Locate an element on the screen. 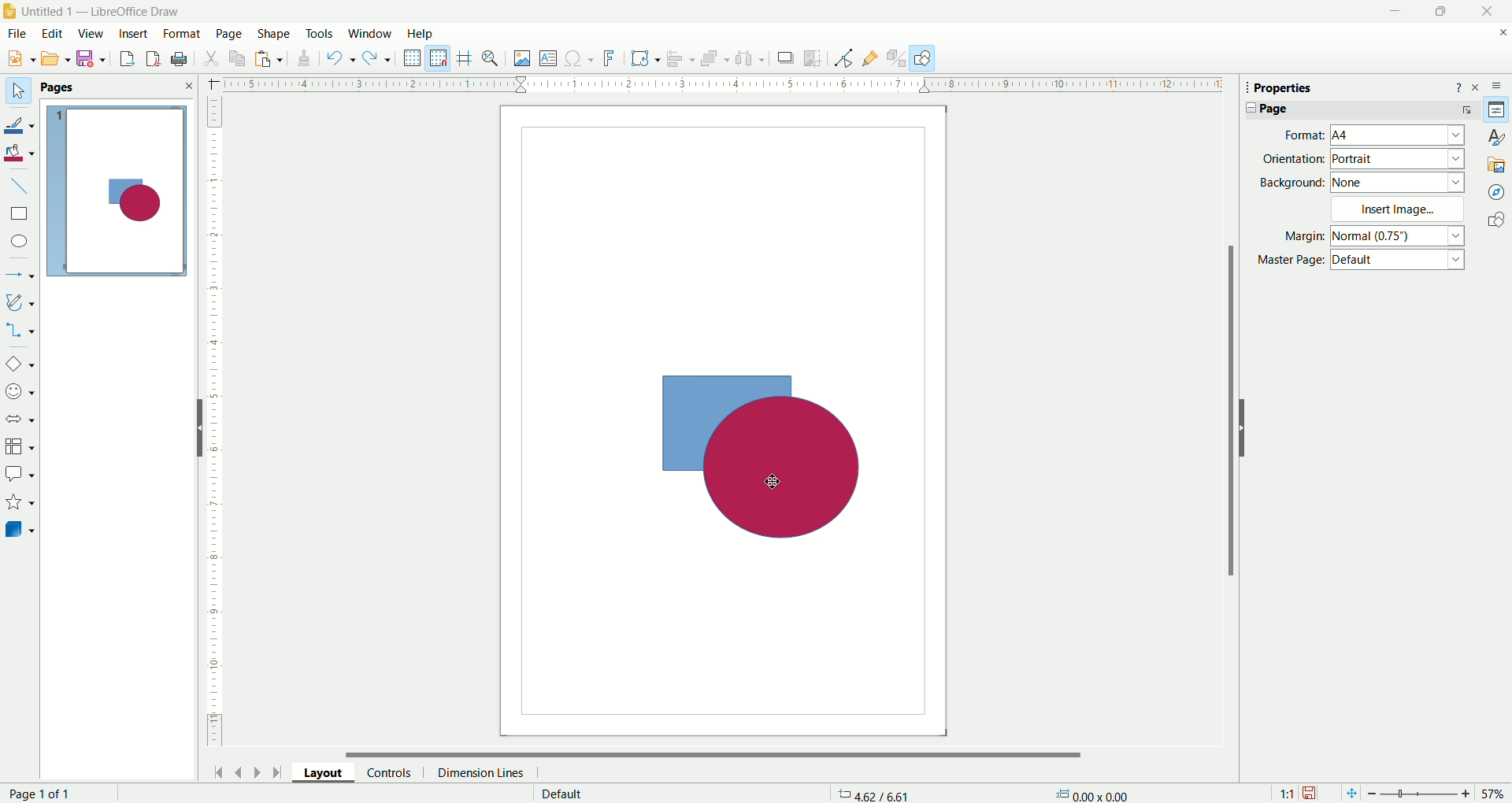 This screenshot has width=1512, height=803. minimize is located at coordinates (1392, 13).